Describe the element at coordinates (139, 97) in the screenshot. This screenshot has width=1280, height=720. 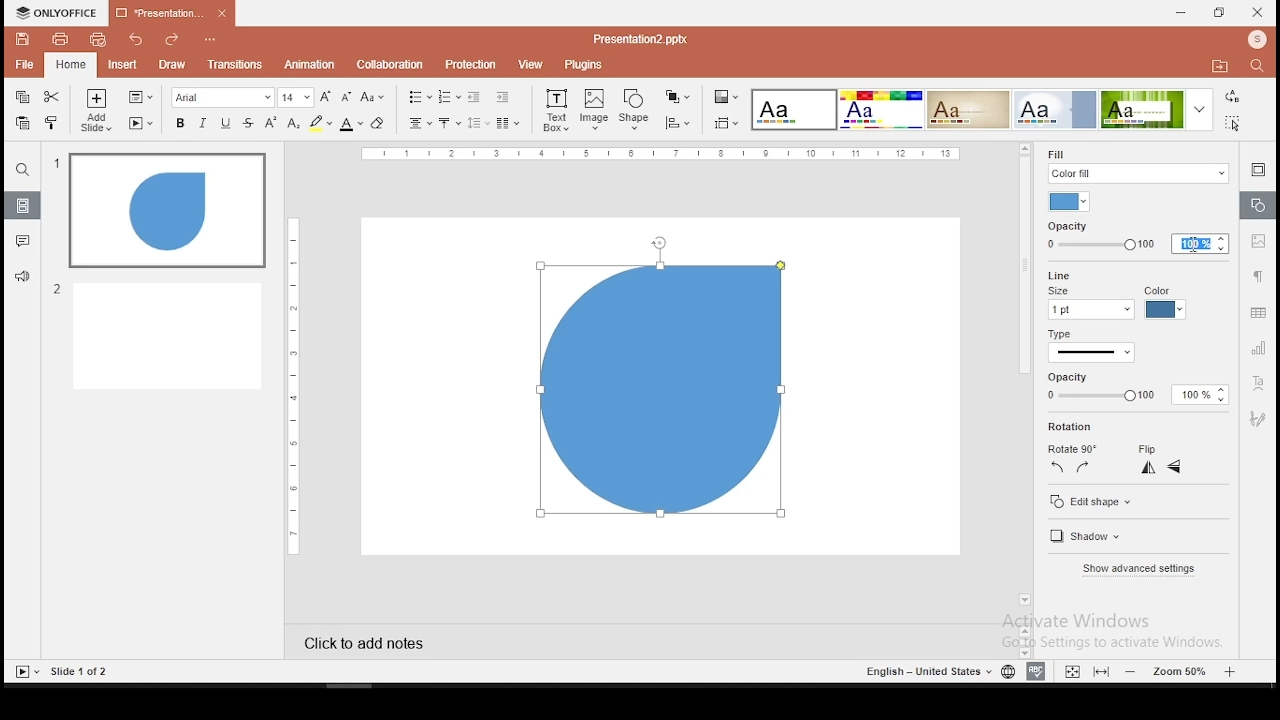
I see `change slide layout` at that location.